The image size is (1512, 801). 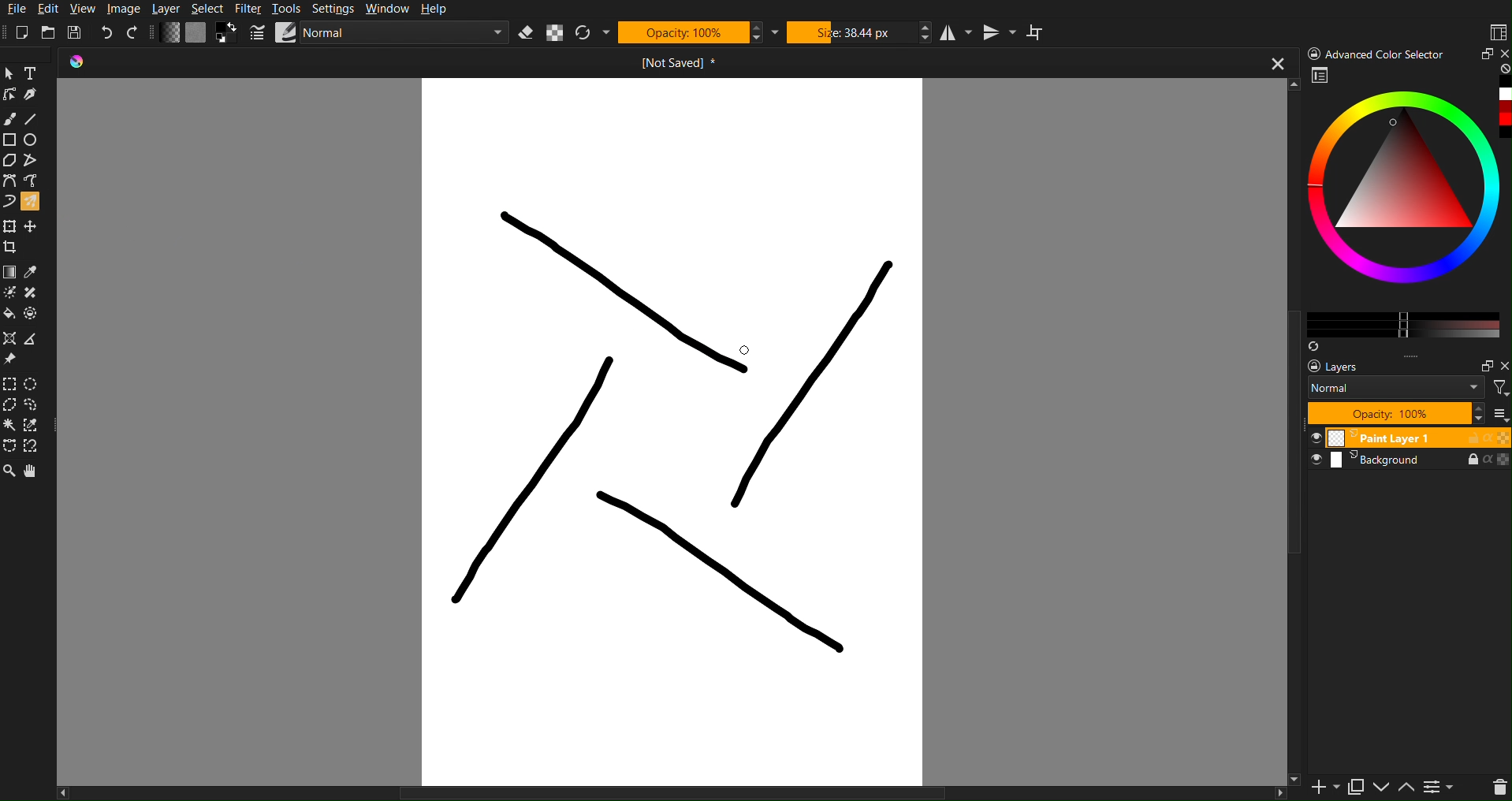 What do you see at coordinates (1484, 54) in the screenshot?
I see `minimize` at bounding box center [1484, 54].